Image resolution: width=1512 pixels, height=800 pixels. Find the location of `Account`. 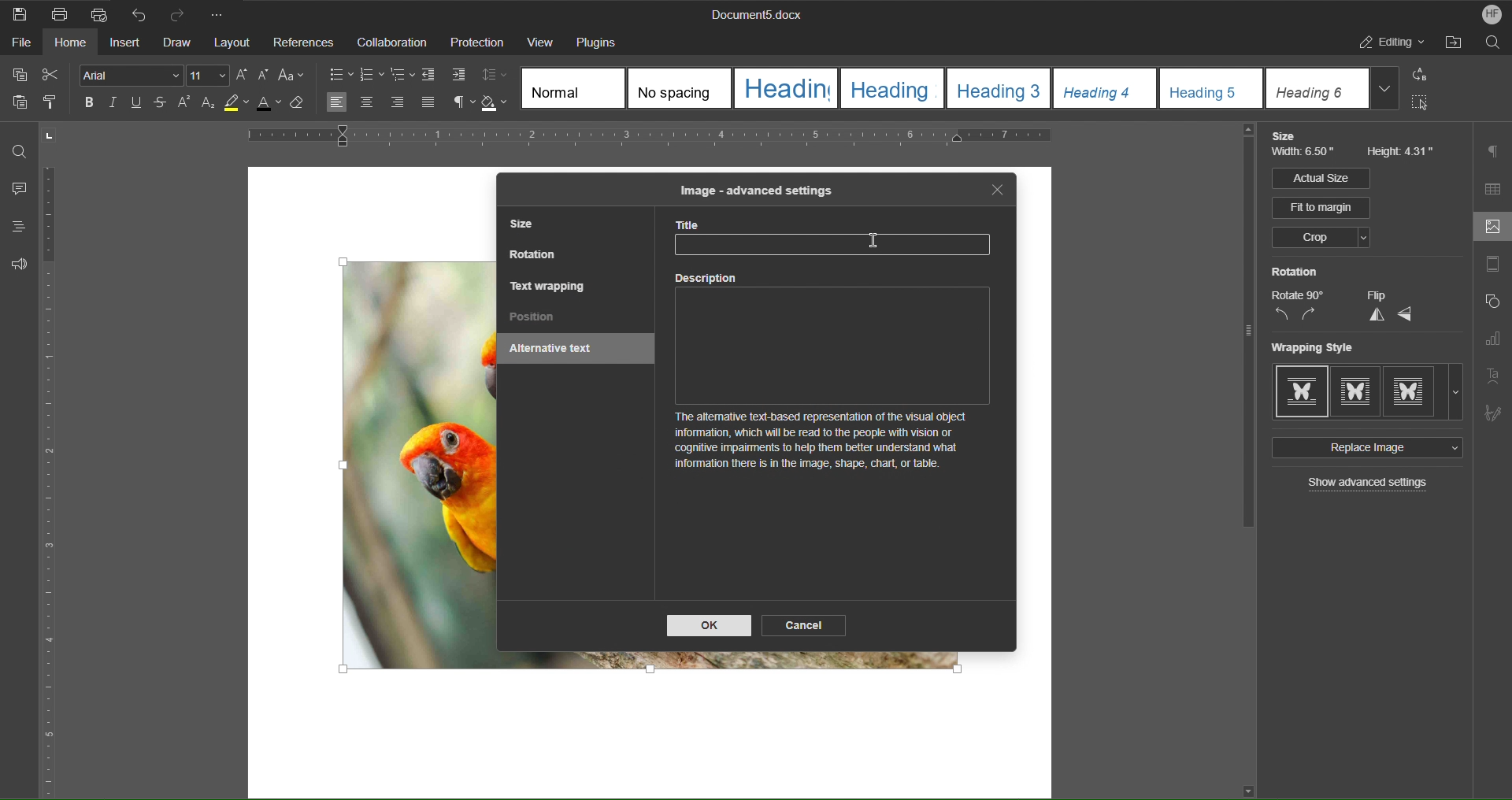

Account is located at coordinates (1487, 14).